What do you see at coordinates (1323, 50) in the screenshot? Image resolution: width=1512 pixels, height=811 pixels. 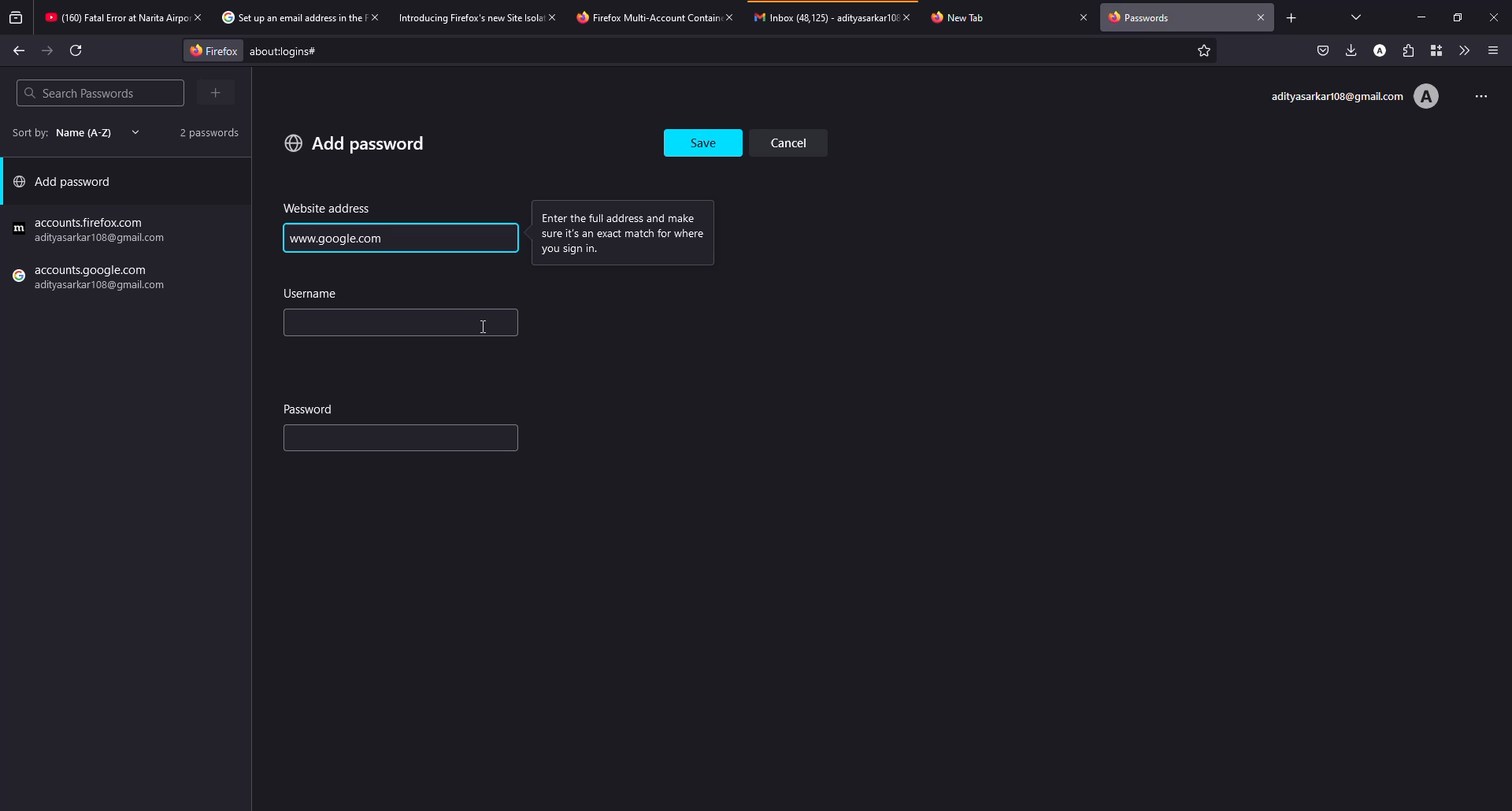 I see `save to pocket` at bounding box center [1323, 50].